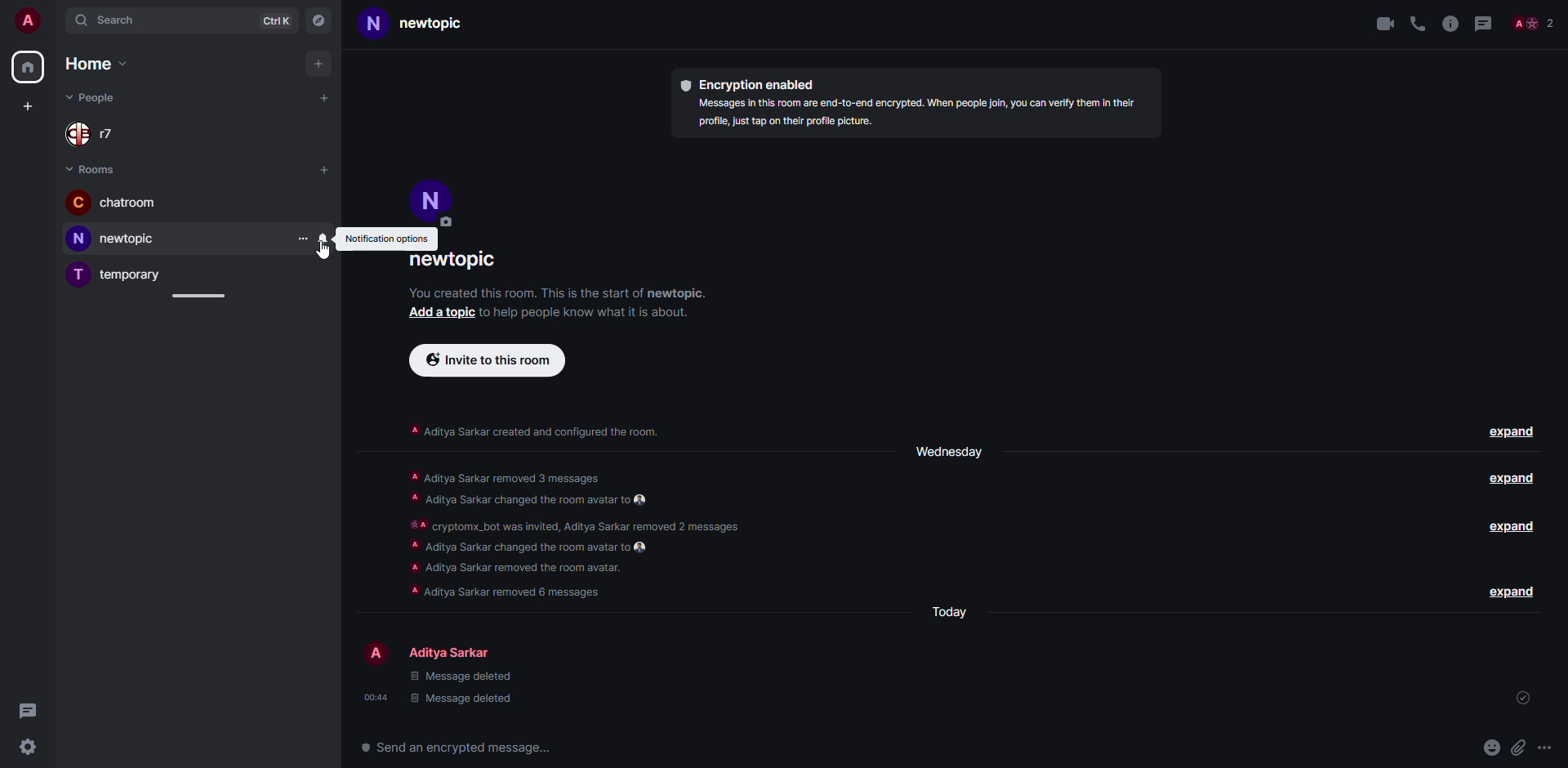 This screenshot has height=768, width=1568. Describe the element at coordinates (115, 203) in the screenshot. I see `room` at that location.